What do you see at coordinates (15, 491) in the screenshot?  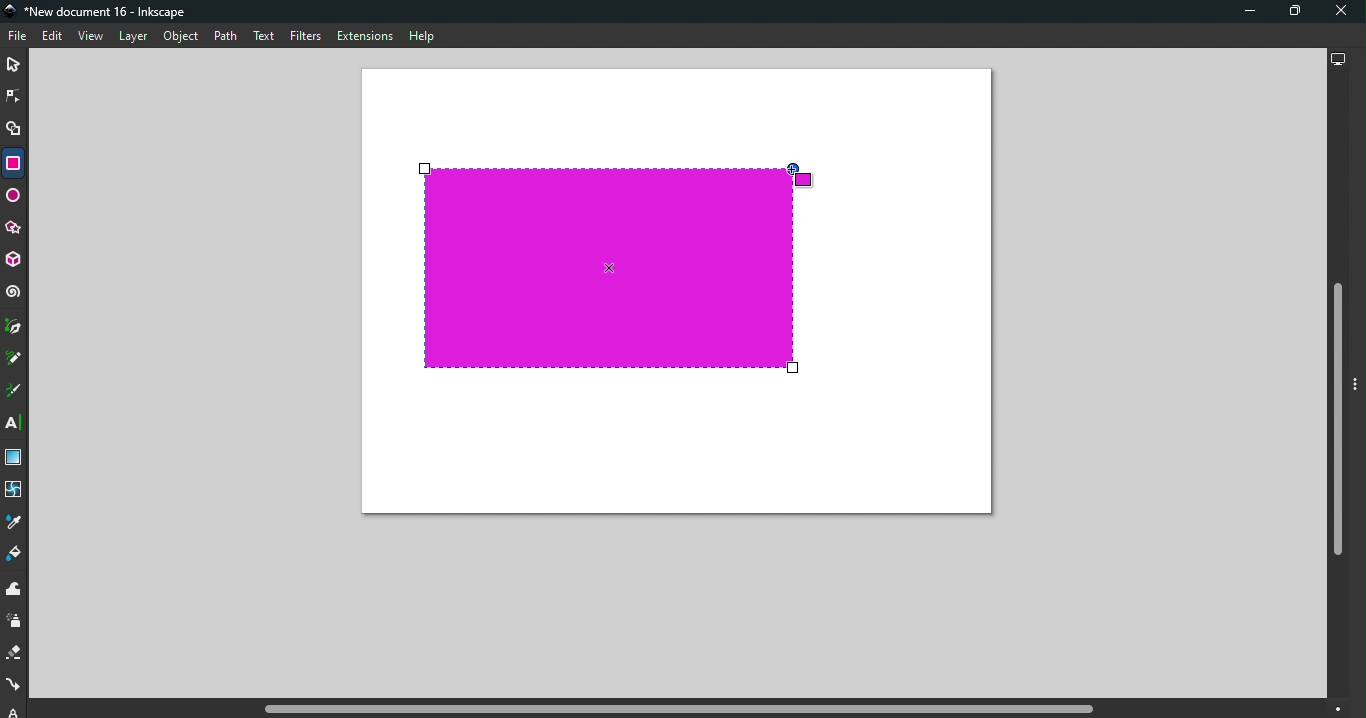 I see `Mesh tool` at bounding box center [15, 491].